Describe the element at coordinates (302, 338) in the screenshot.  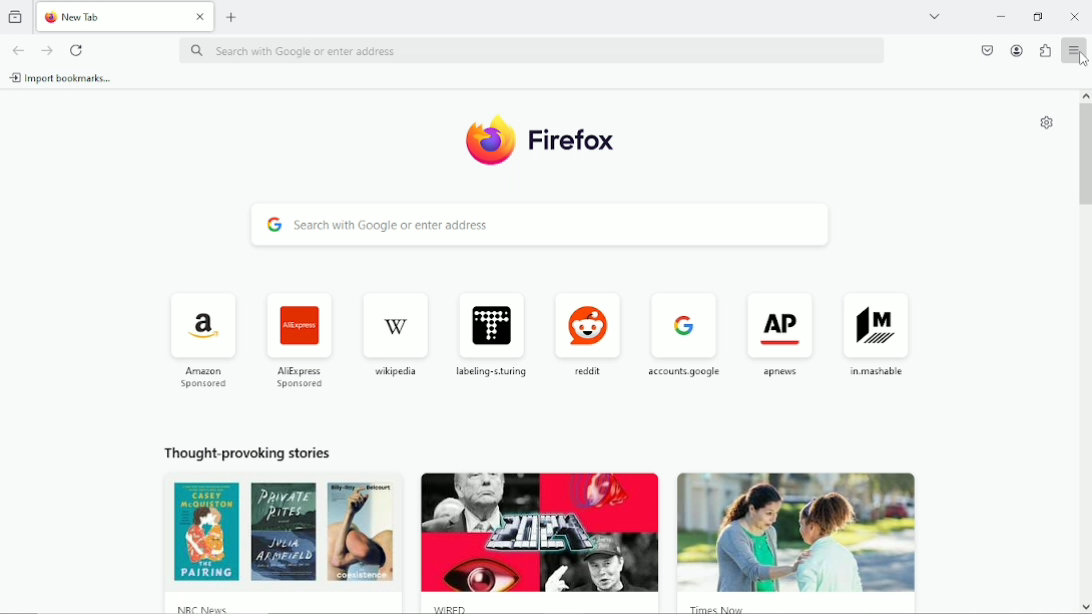
I see `AliExpress` at that location.